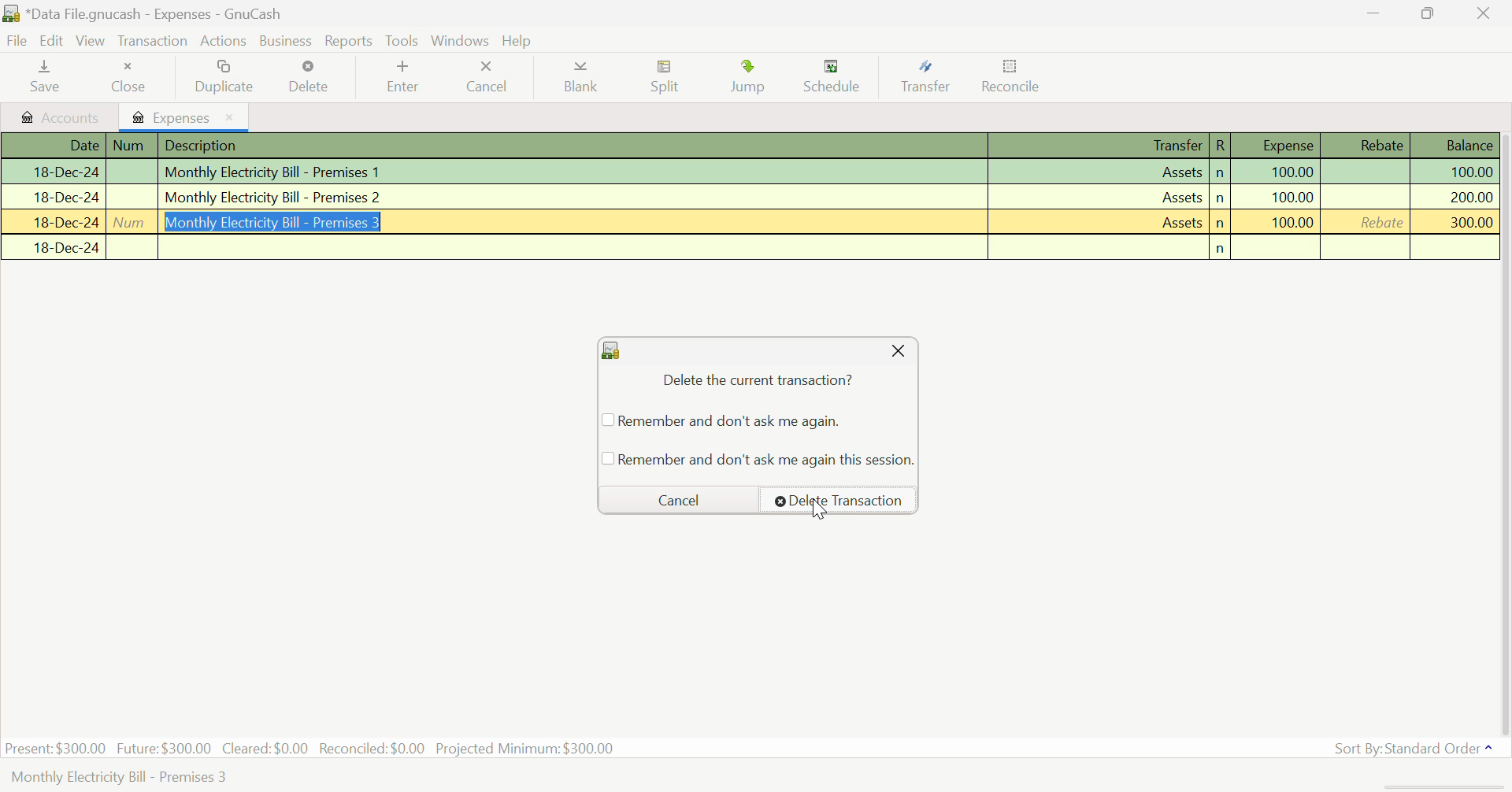 This screenshot has width=1512, height=792. Describe the element at coordinates (225, 40) in the screenshot. I see `Actions` at that location.